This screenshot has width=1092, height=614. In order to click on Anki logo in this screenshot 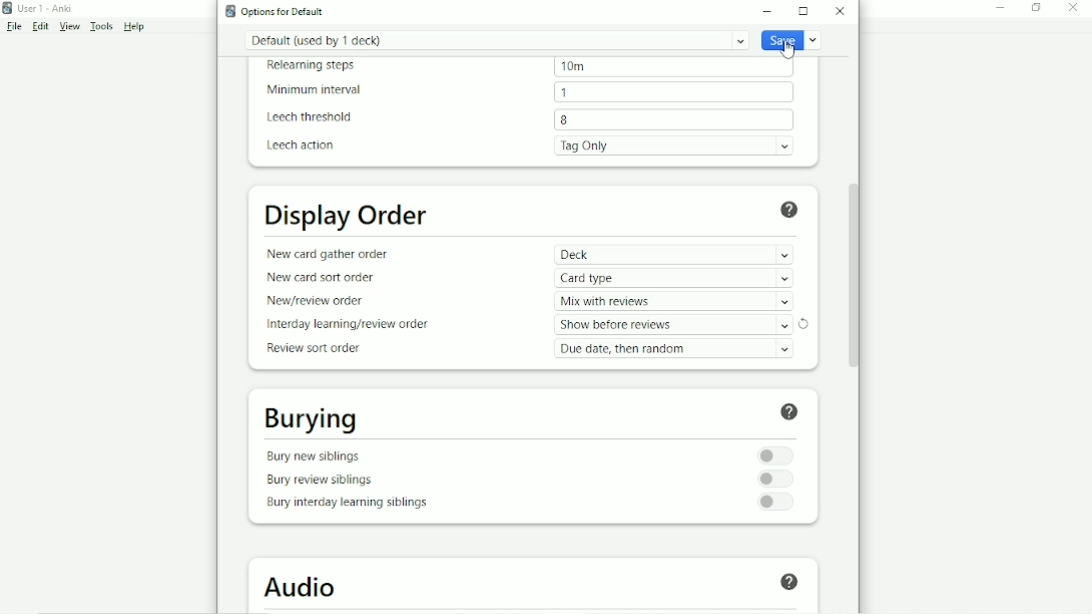, I will do `click(8, 8)`.